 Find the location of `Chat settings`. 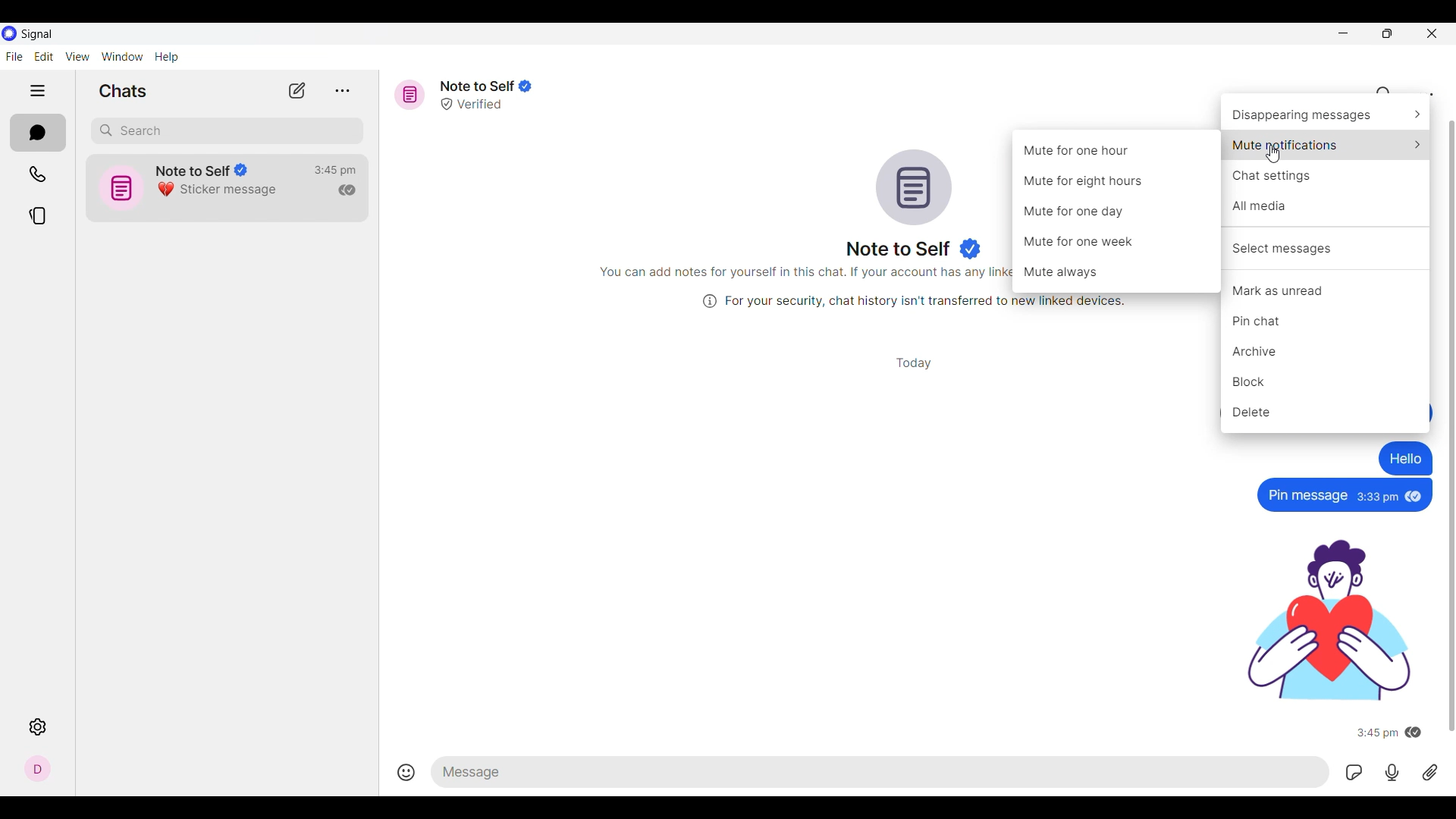

Chat settings is located at coordinates (1426, 94).